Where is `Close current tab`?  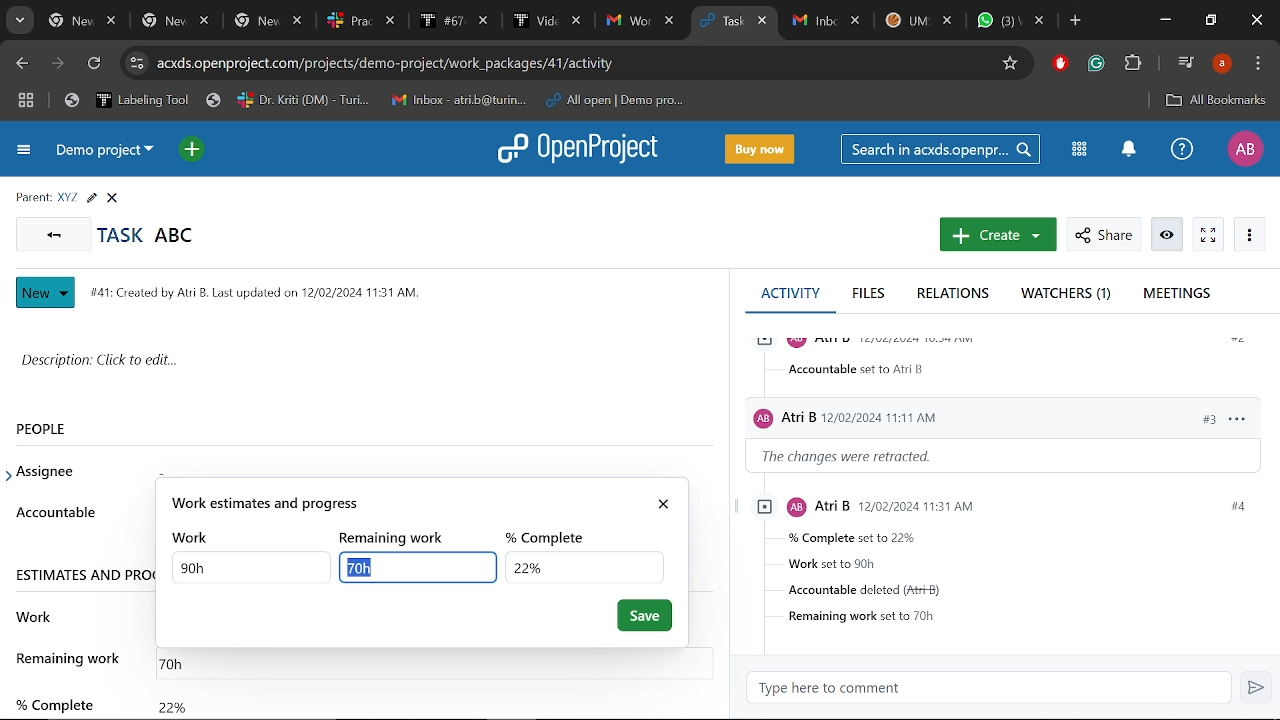
Close current tab is located at coordinates (764, 23).